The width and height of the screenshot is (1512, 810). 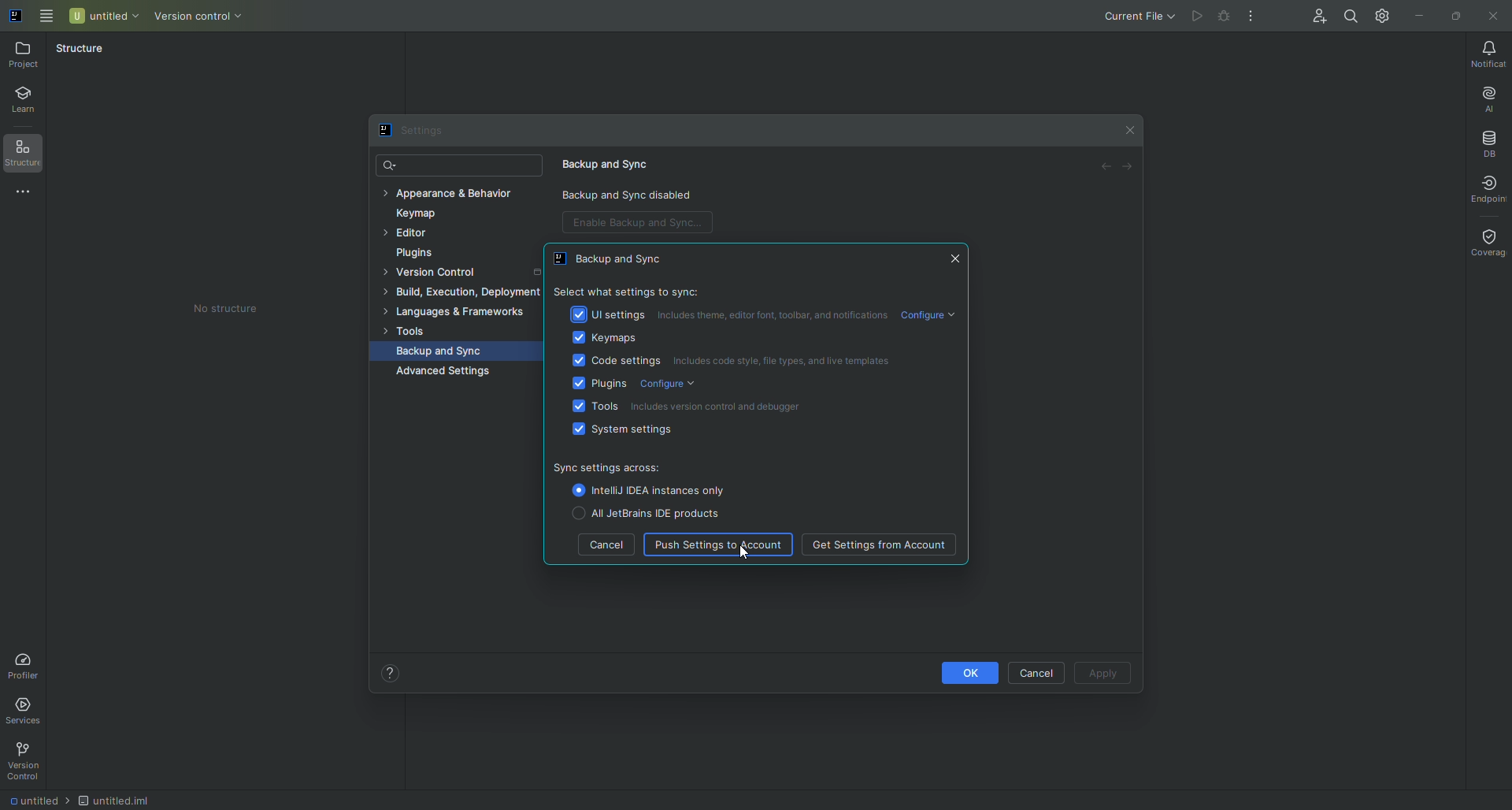 I want to click on All JetBrains IDE products, so click(x=641, y=514).